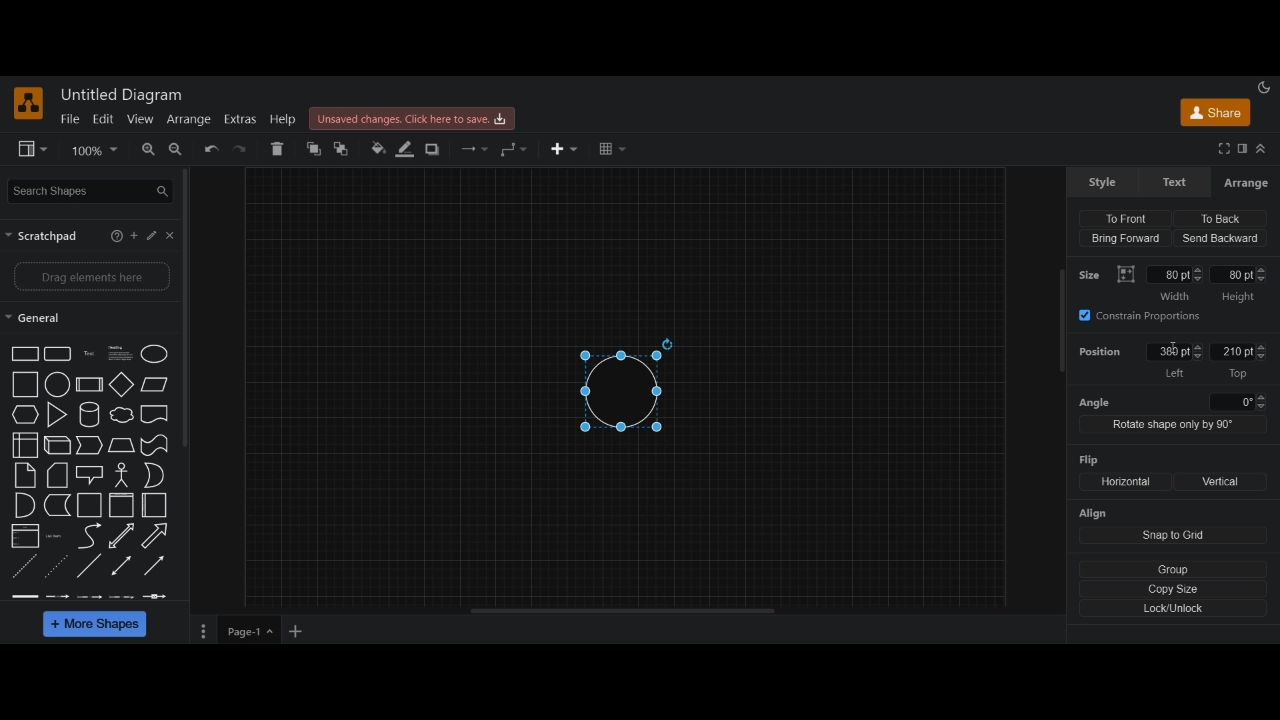  I want to click on style, so click(1103, 182).